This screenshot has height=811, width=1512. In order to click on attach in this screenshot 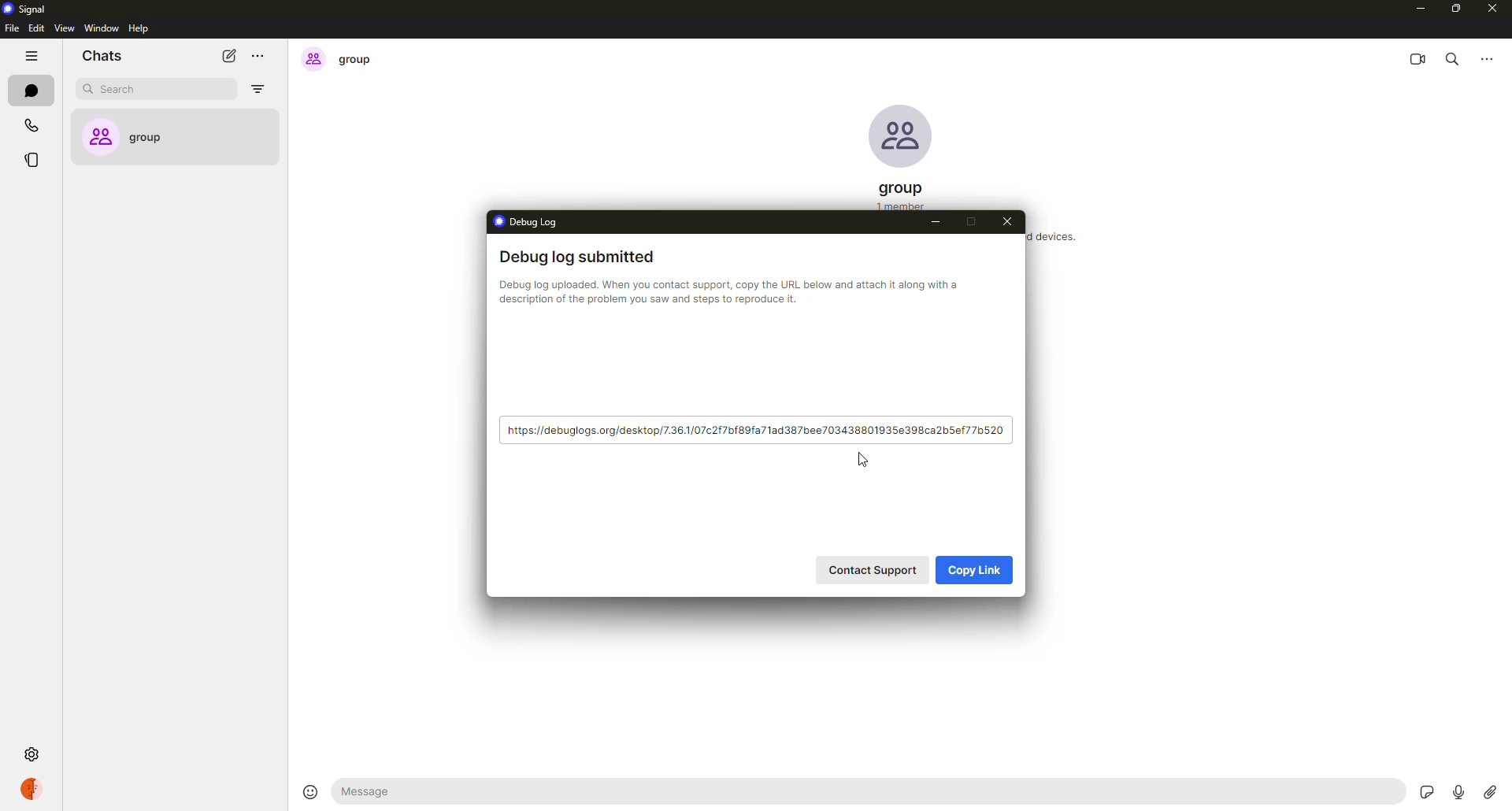, I will do `click(1489, 792)`.